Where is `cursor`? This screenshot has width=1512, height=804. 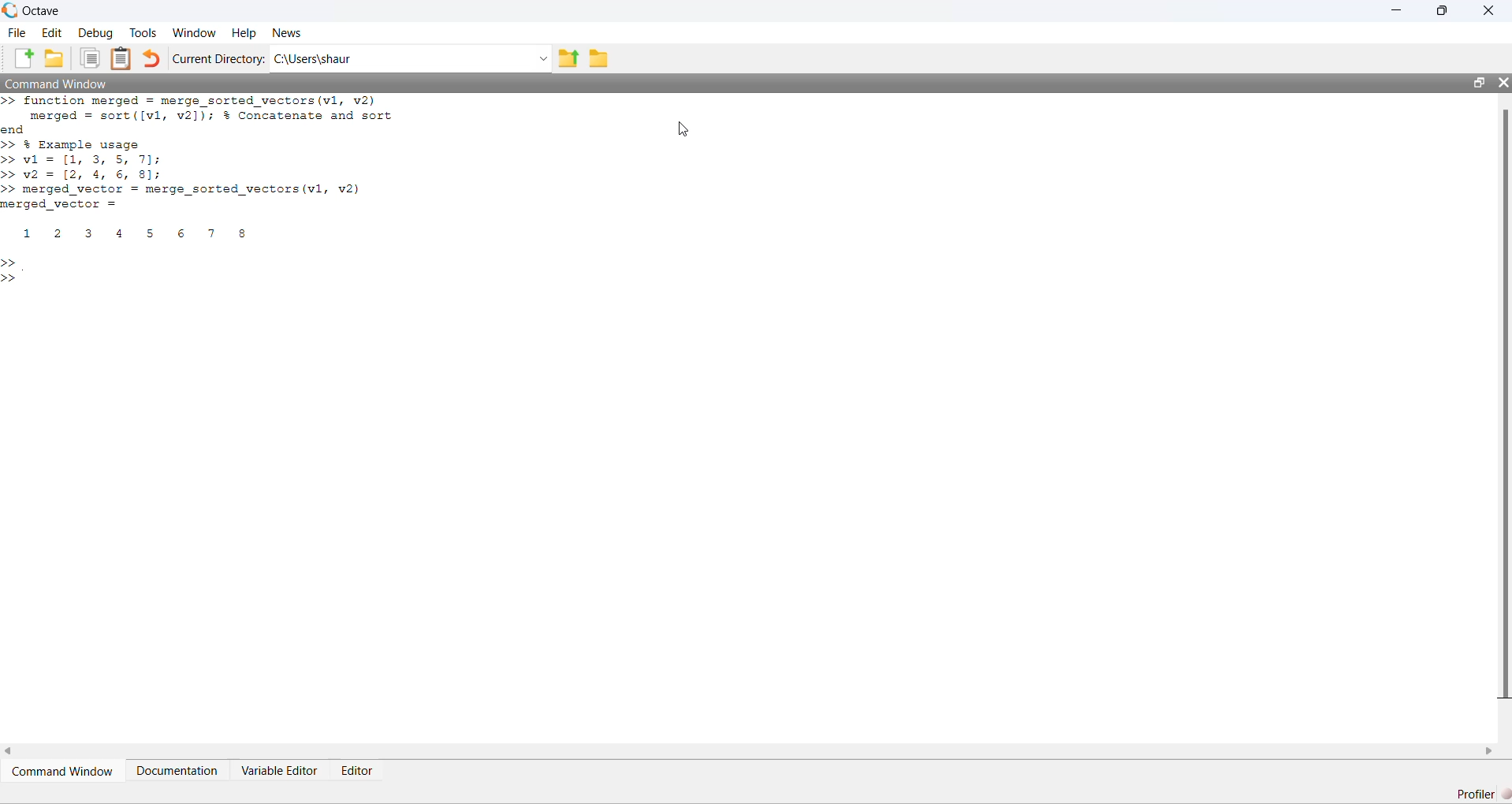 cursor is located at coordinates (683, 128).